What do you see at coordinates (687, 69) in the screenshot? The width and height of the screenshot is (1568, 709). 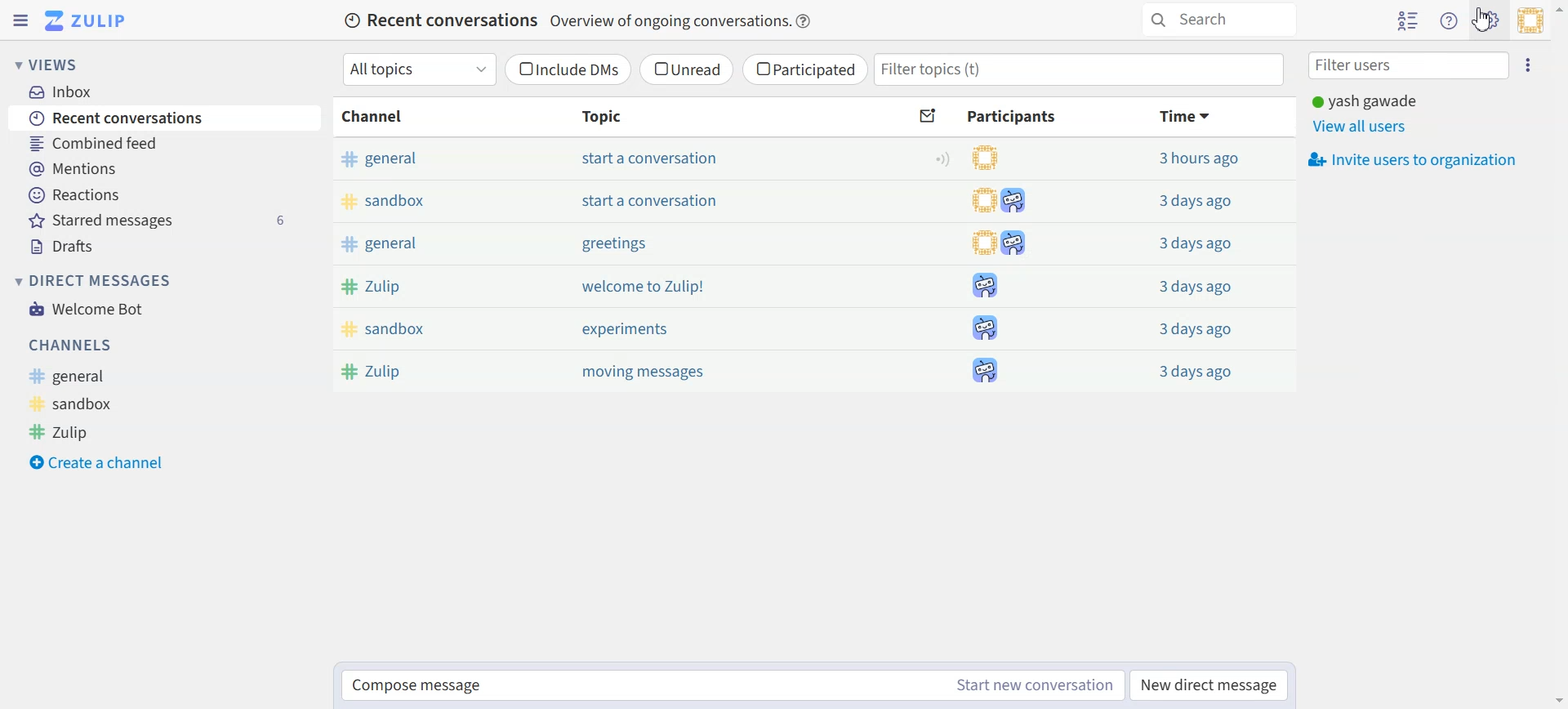 I see `Unread` at bounding box center [687, 69].